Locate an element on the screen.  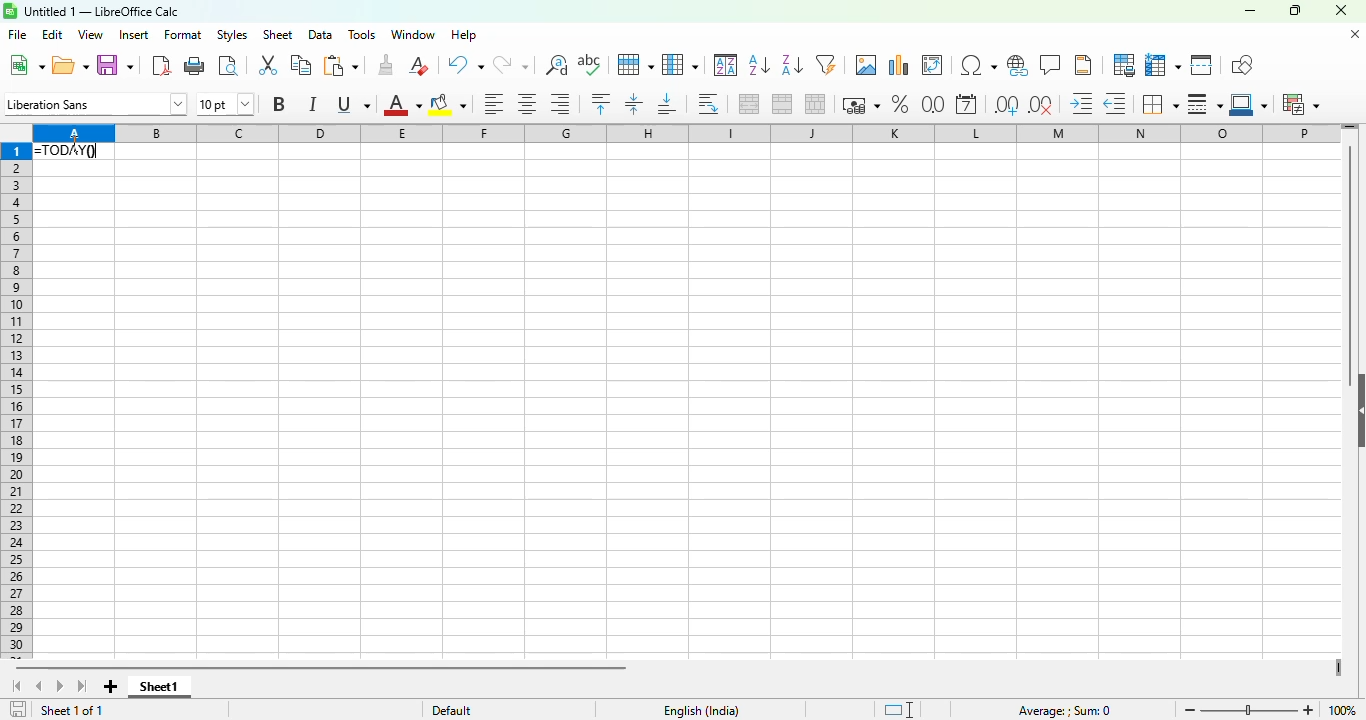
maximize is located at coordinates (1296, 10).